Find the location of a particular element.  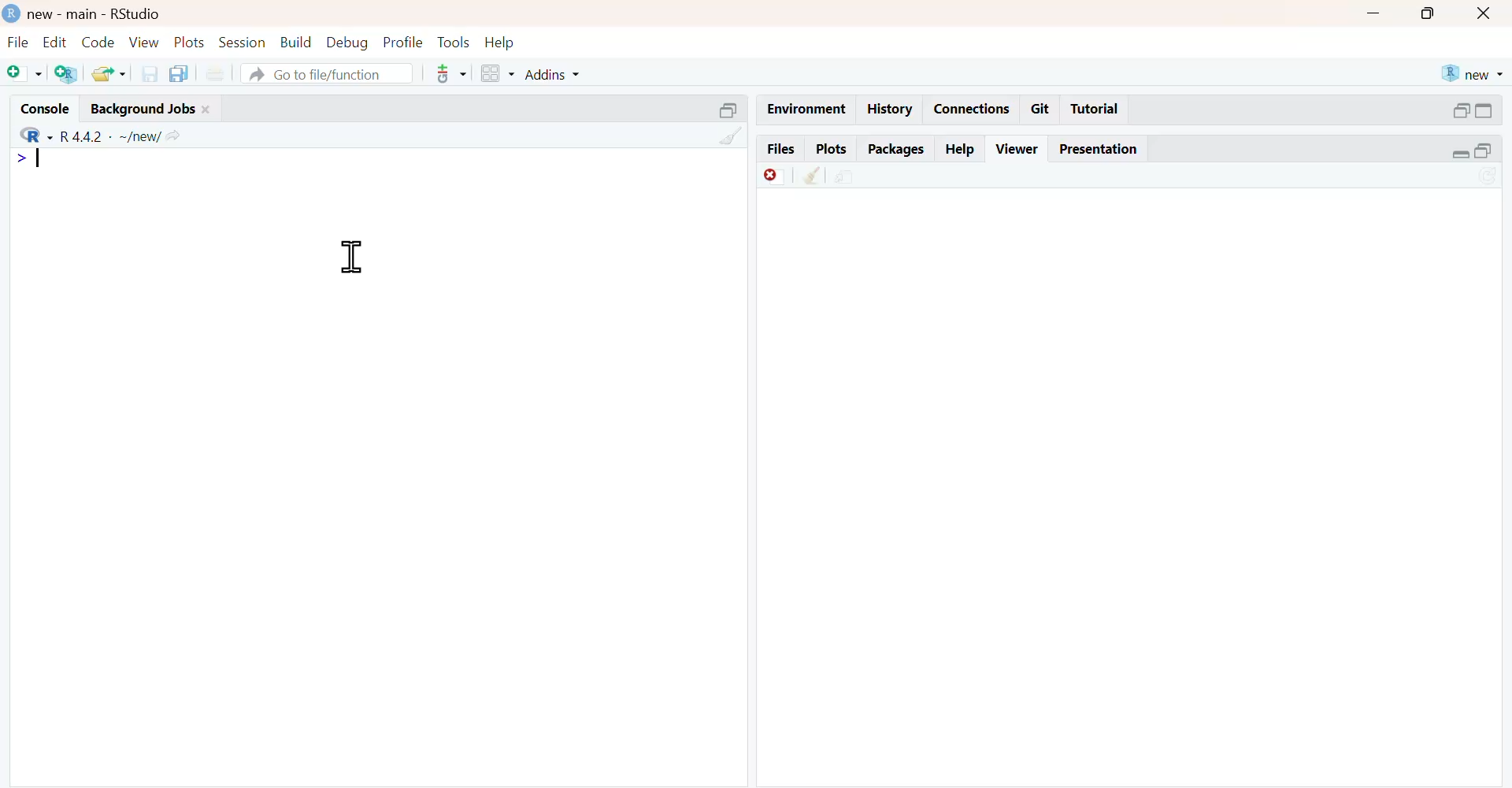

clean is located at coordinates (732, 136).